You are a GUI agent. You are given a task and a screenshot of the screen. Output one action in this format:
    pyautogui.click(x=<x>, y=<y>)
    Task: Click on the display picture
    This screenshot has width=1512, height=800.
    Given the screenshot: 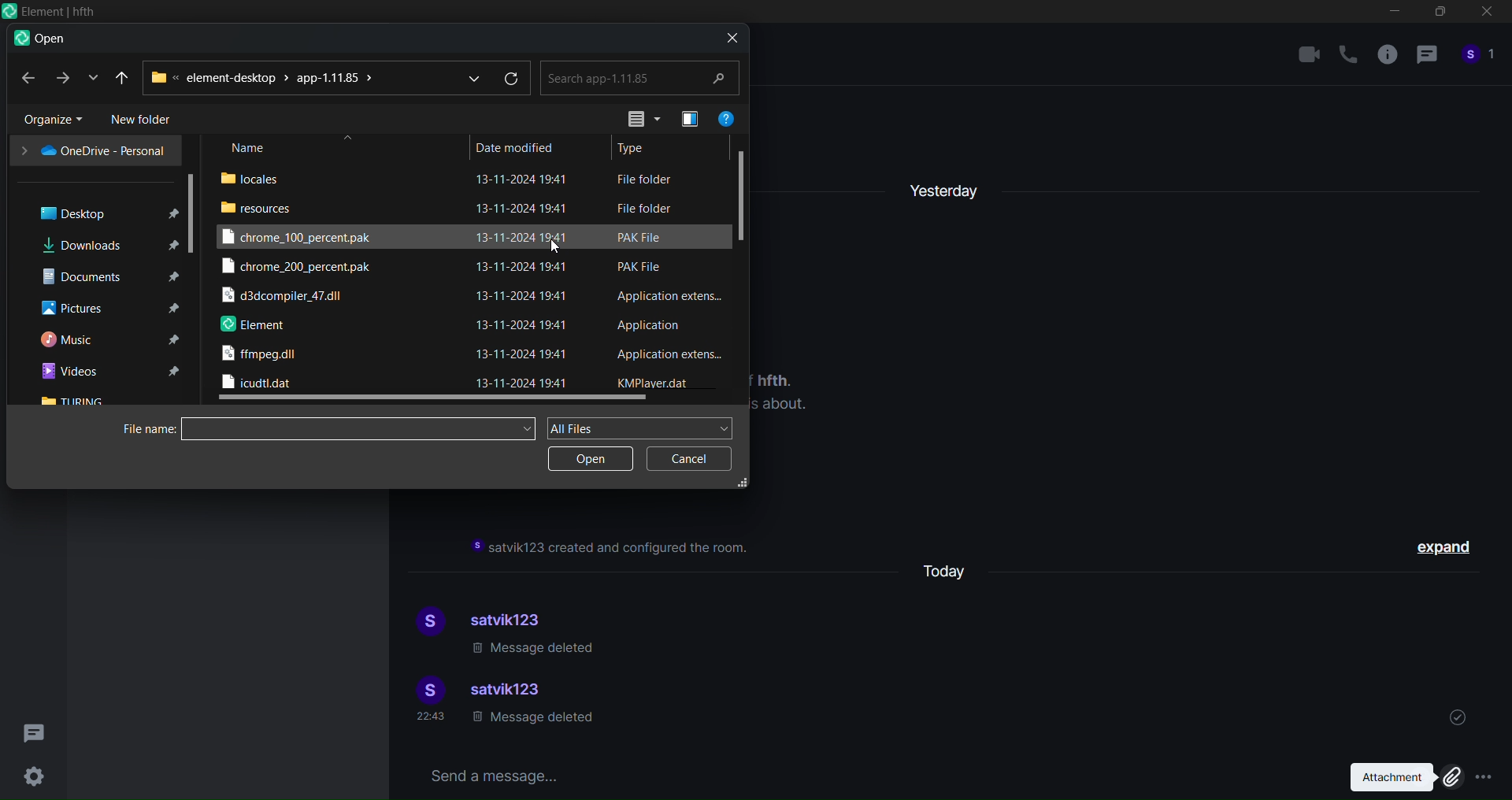 What is the action you would take?
    pyautogui.click(x=426, y=623)
    